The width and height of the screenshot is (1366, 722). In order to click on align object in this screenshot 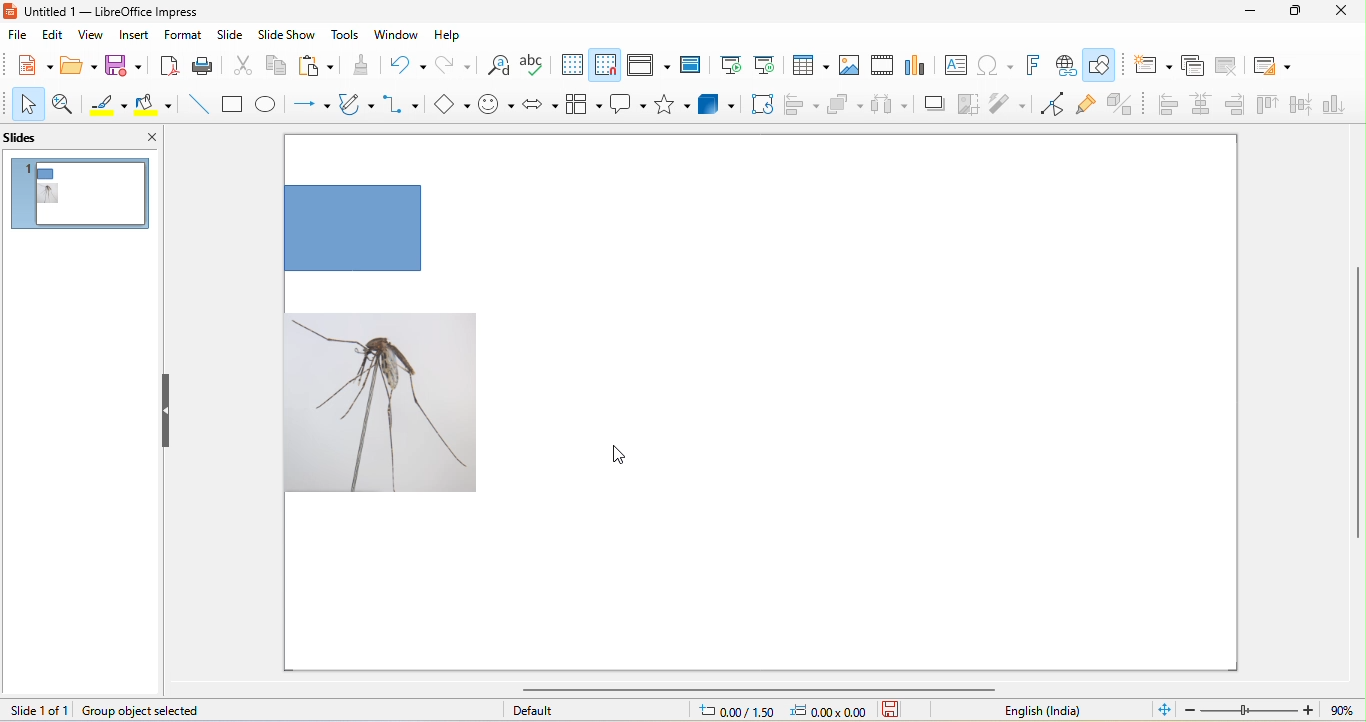, I will do `click(801, 106)`.